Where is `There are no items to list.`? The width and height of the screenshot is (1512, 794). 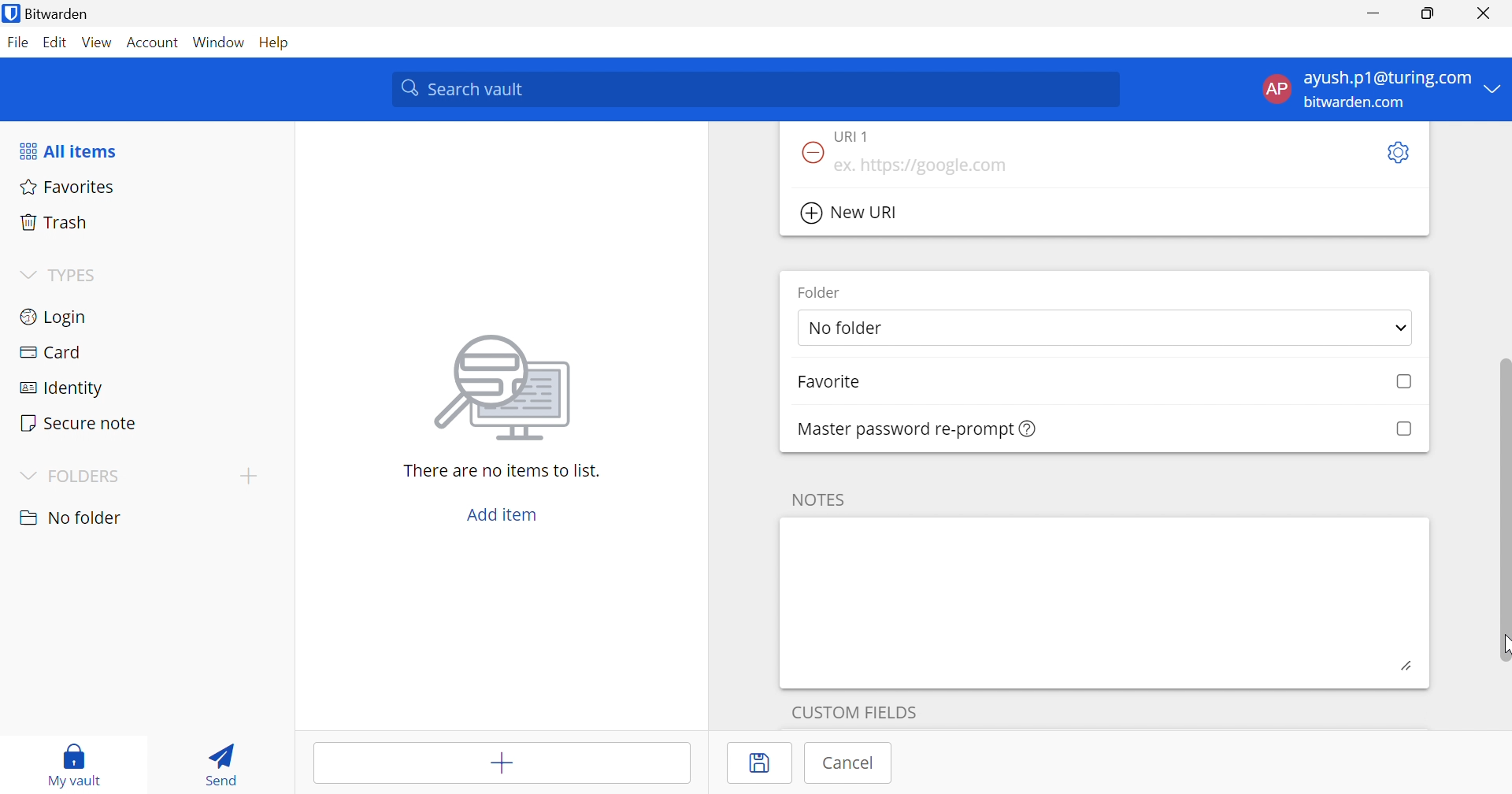
There are no items to list. is located at coordinates (503, 469).